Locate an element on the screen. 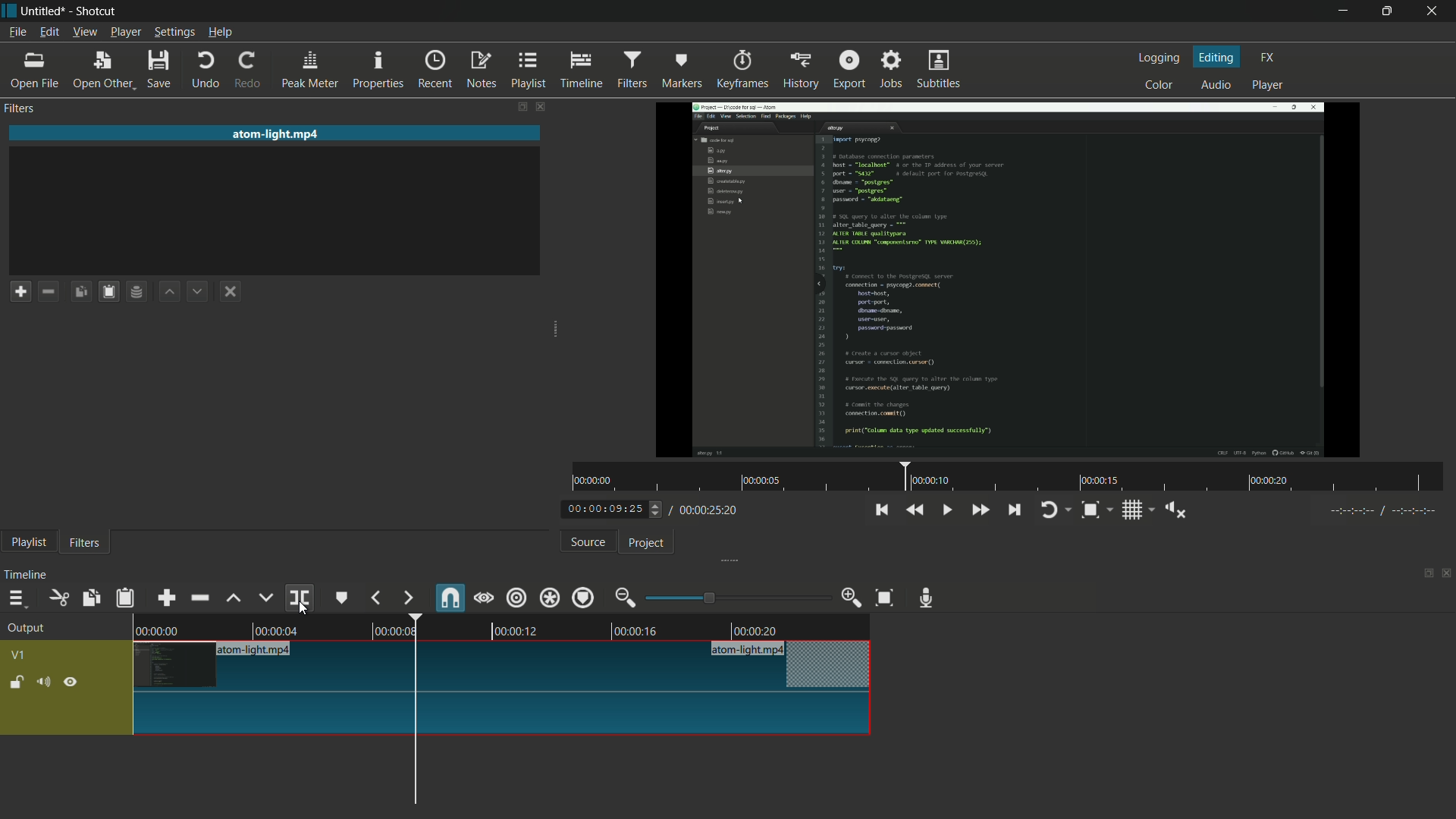 The image size is (1456, 819). cut is located at coordinates (60, 598).